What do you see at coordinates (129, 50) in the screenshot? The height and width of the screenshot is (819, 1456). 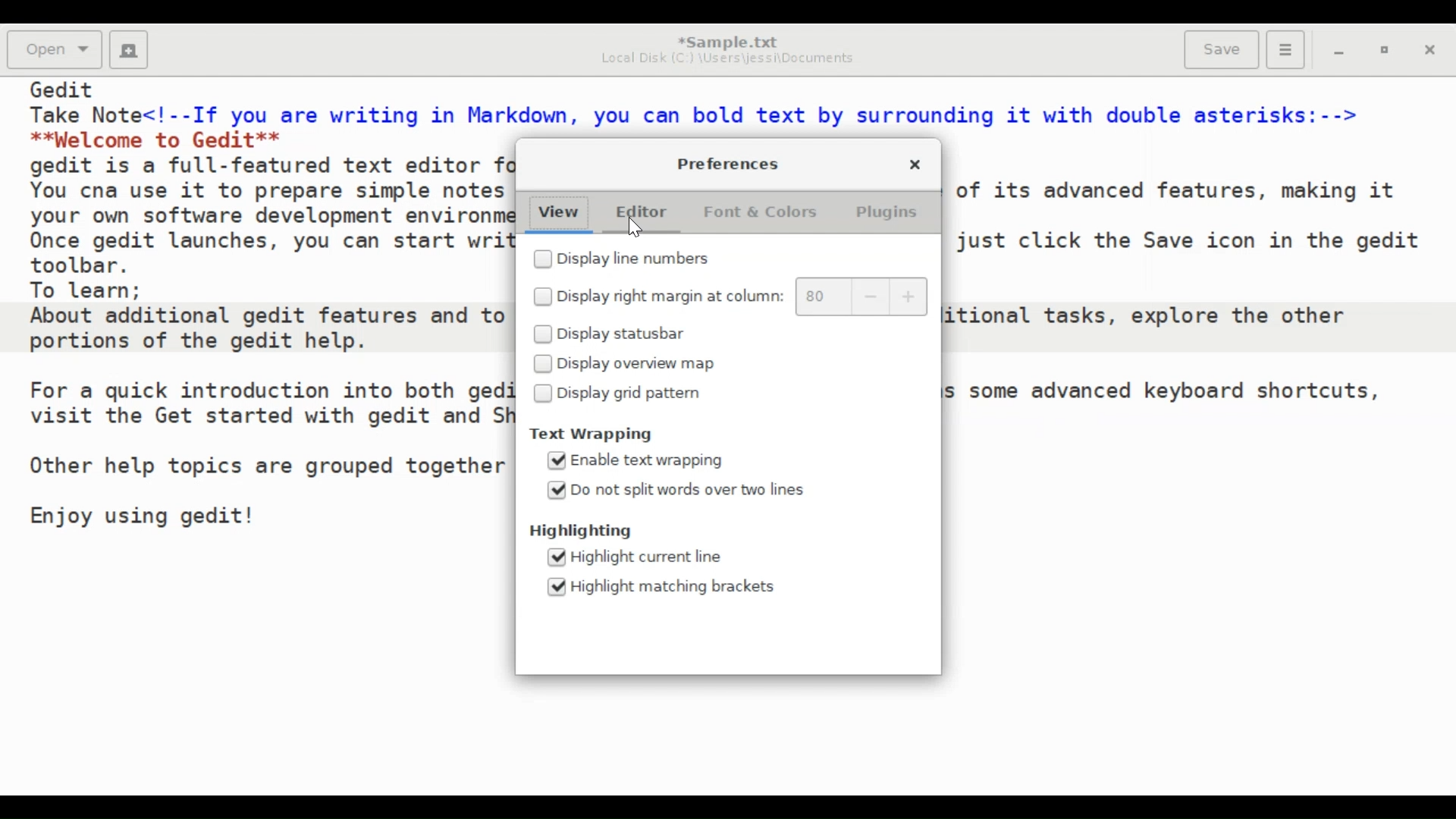 I see `Create a new document` at bounding box center [129, 50].